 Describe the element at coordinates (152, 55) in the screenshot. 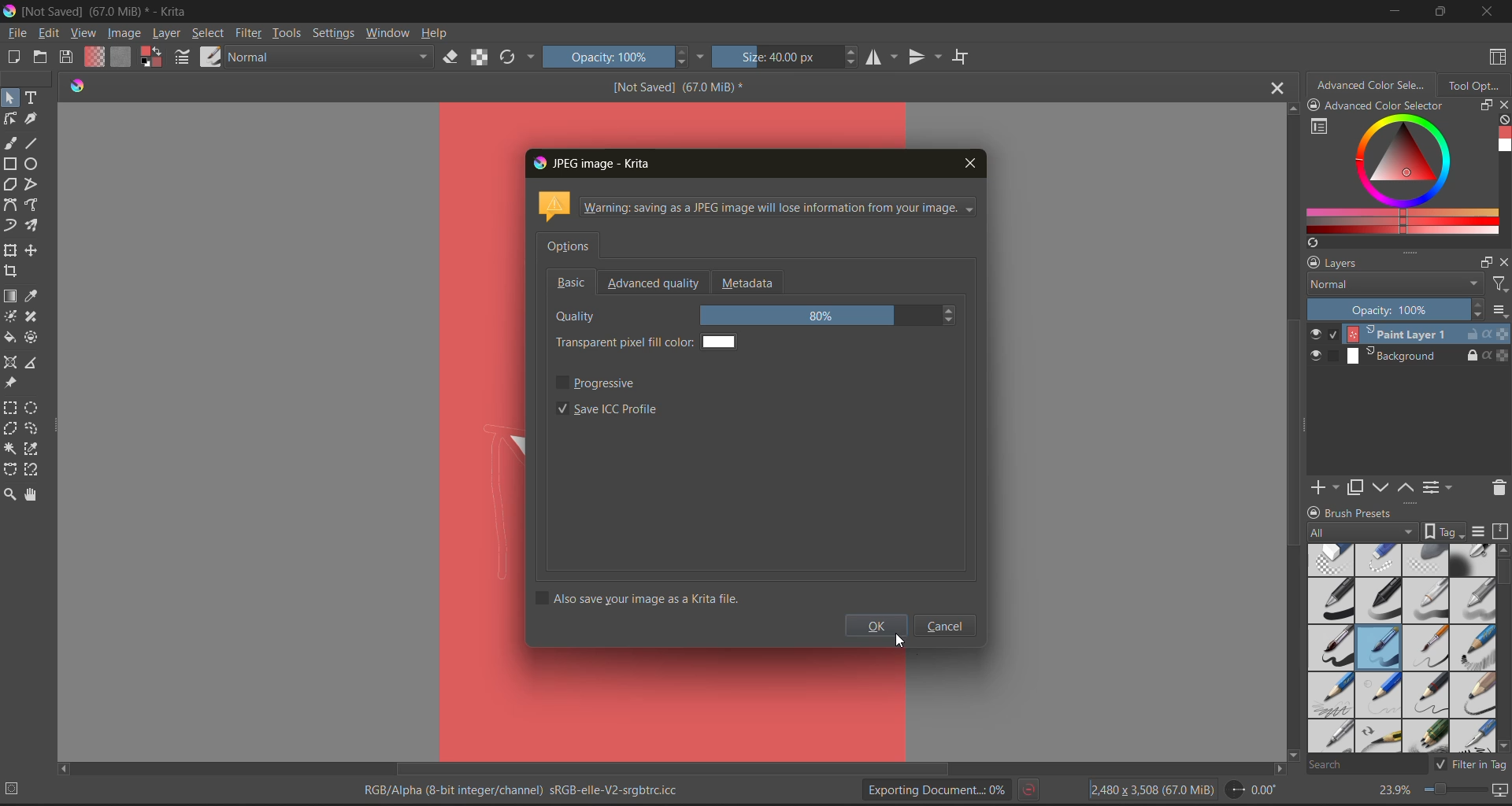

I see `background color selector` at that location.